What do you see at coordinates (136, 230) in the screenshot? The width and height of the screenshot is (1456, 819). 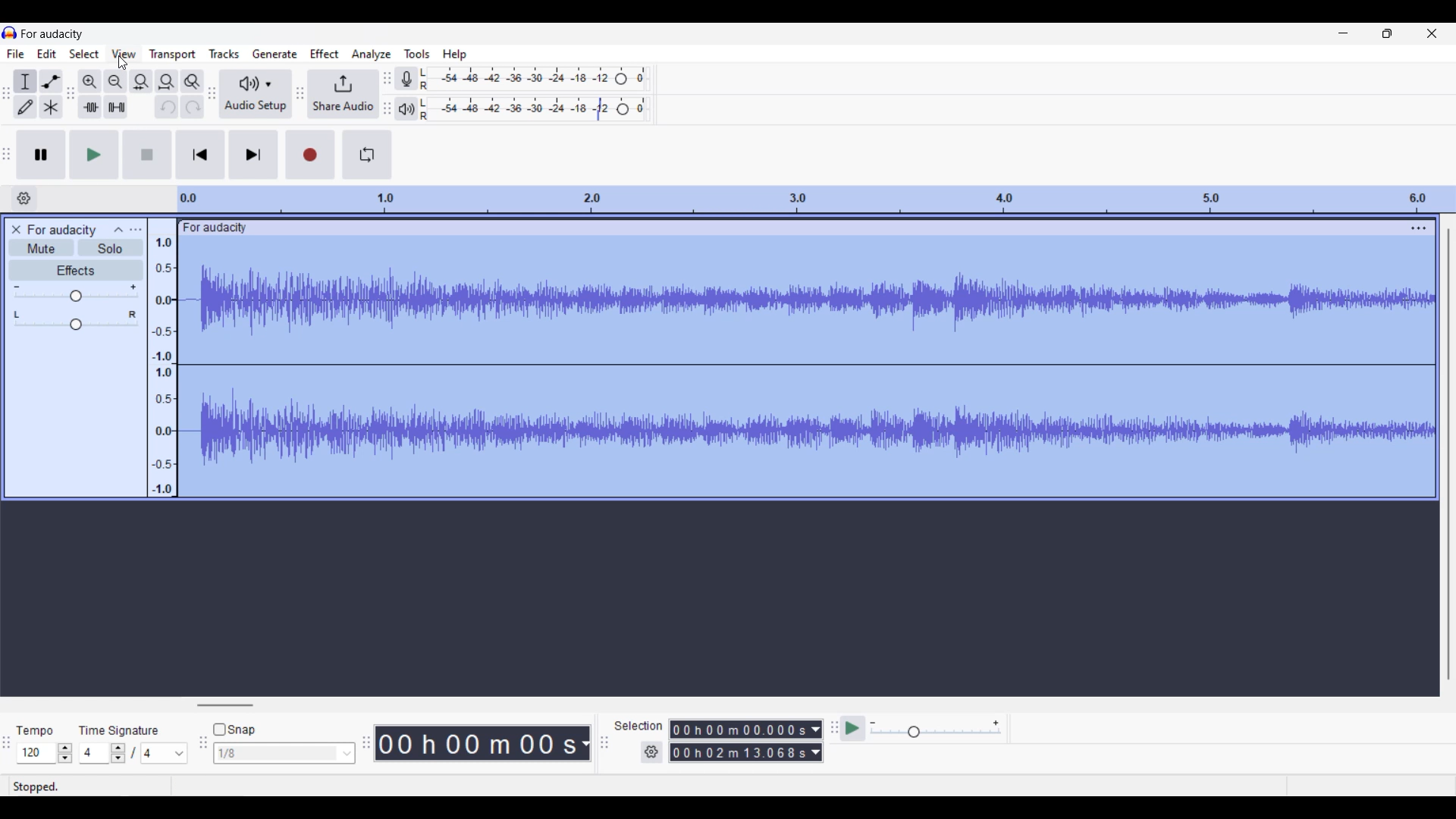 I see `Open menu` at bounding box center [136, 230].